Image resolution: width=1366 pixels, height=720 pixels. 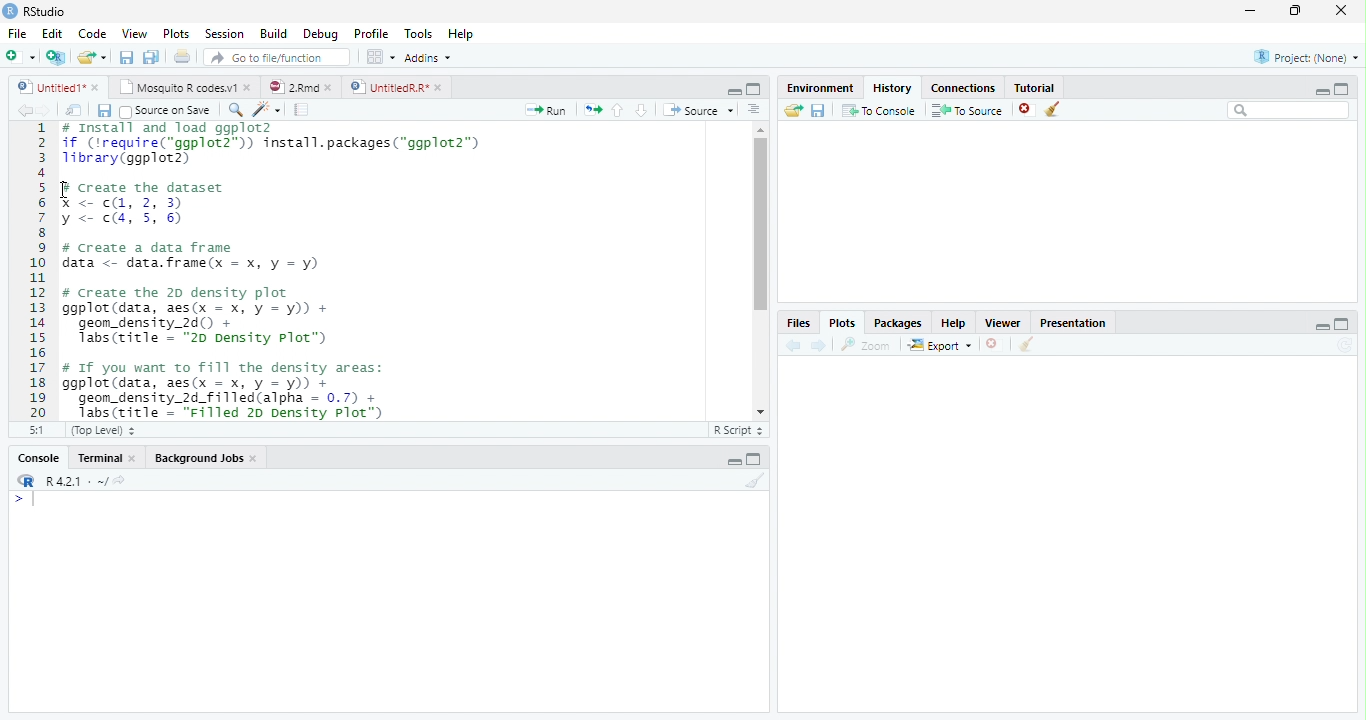 I want to click on export, so click(x=939, y=346).